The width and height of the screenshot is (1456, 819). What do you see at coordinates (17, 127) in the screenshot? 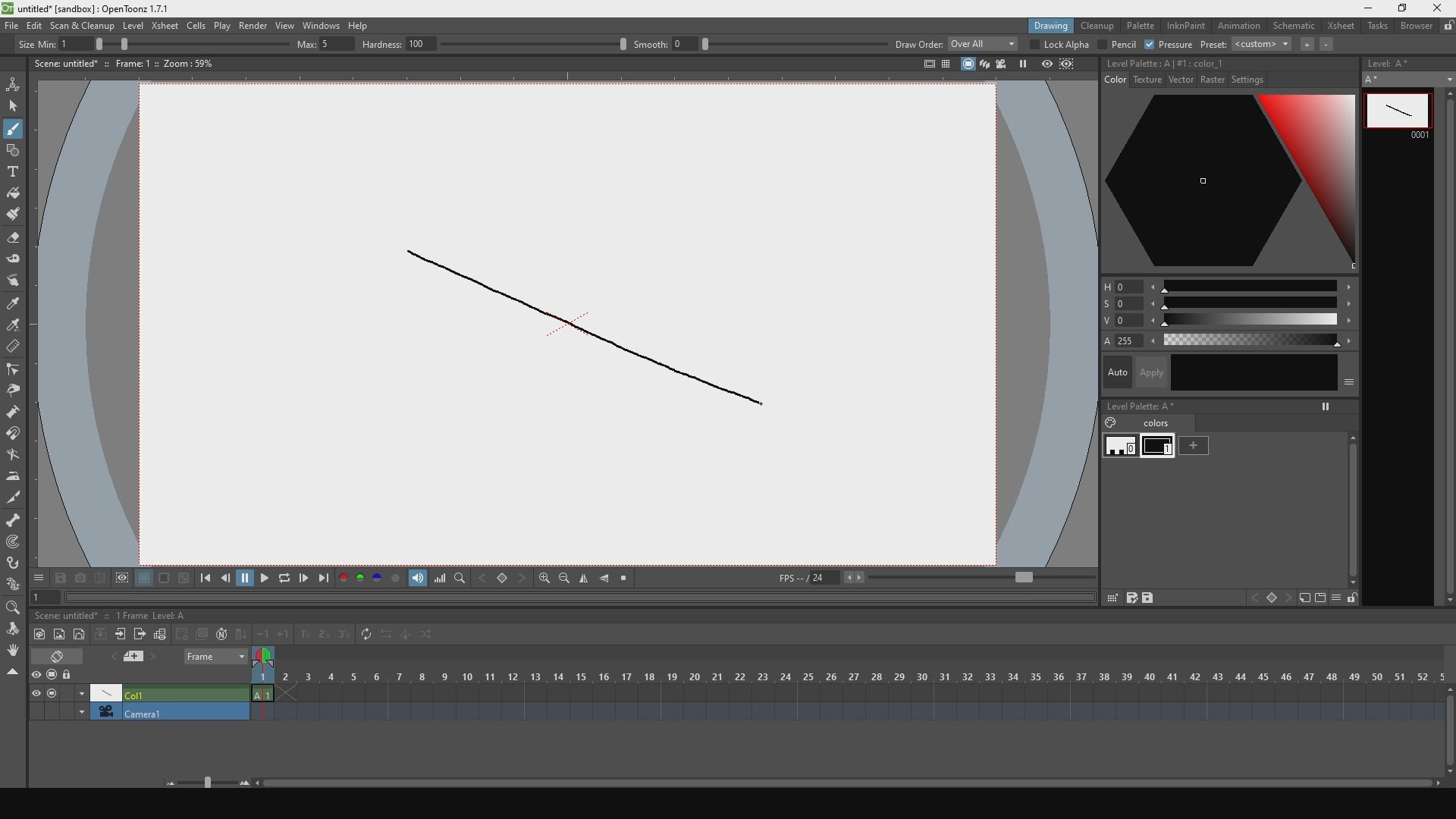
I see `draw` at bounding box center [17, 127].